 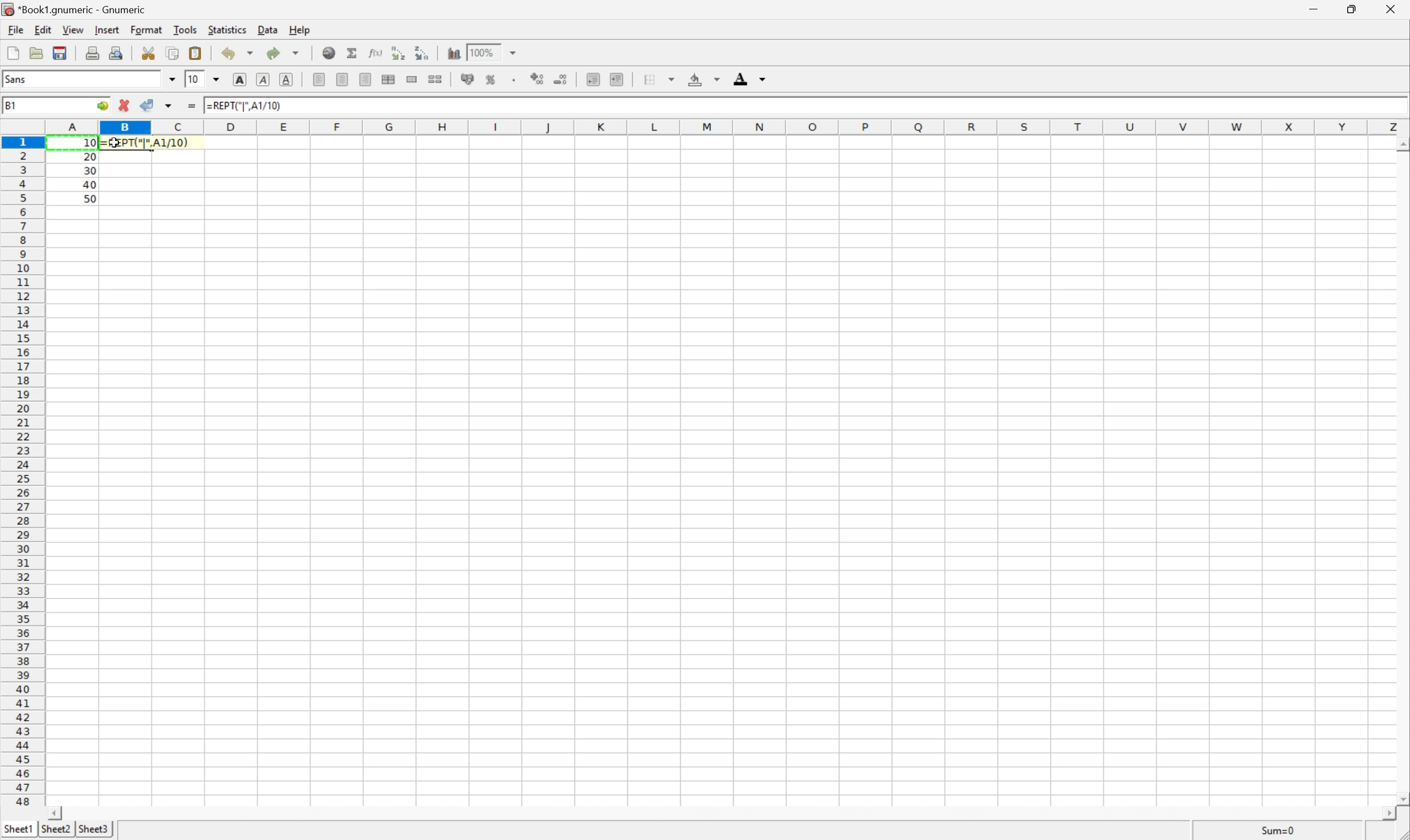 I want to click on Edit, so click(x=42, y=29).